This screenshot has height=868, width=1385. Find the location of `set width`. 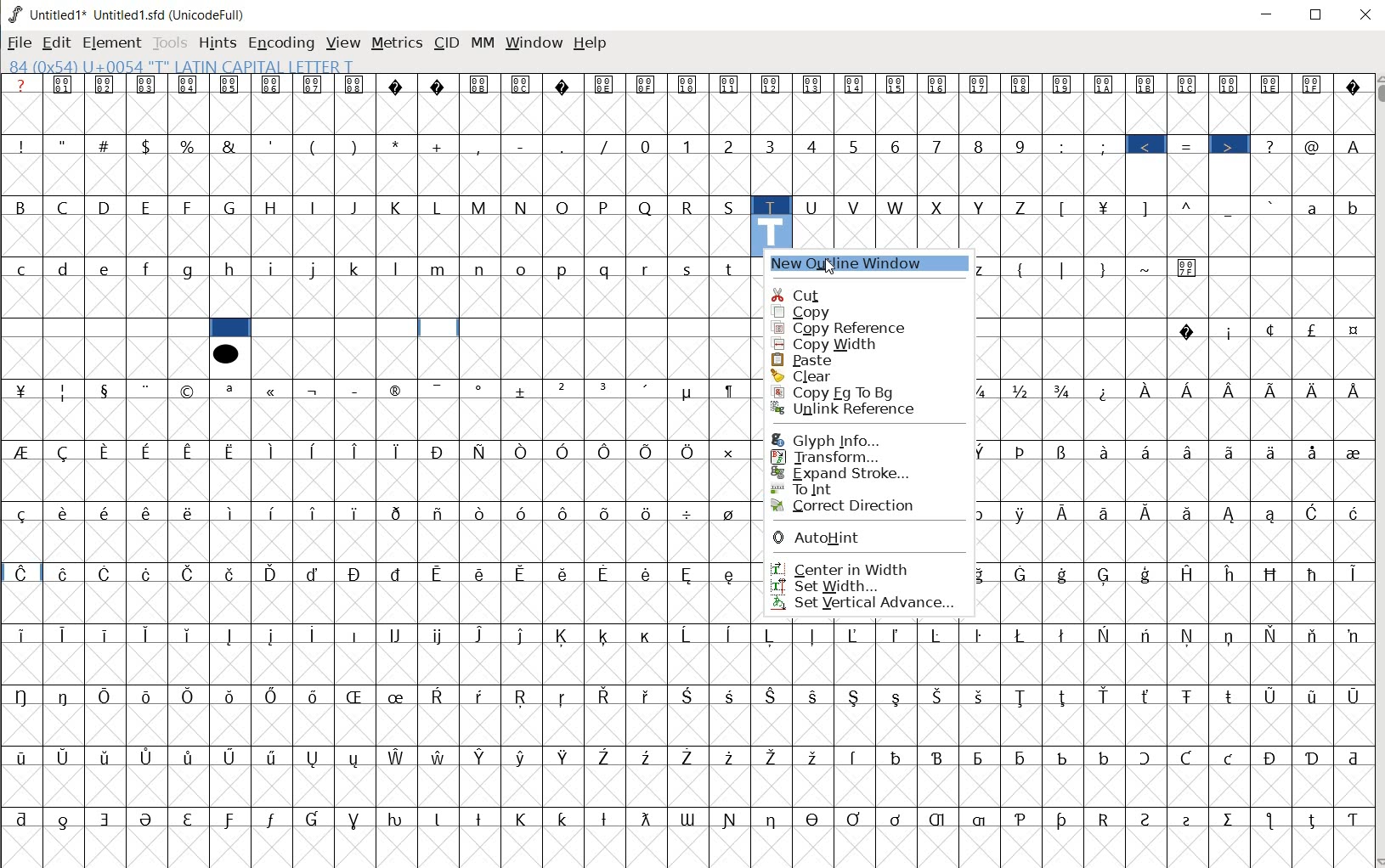

set width is located at coordinates (830, 586).